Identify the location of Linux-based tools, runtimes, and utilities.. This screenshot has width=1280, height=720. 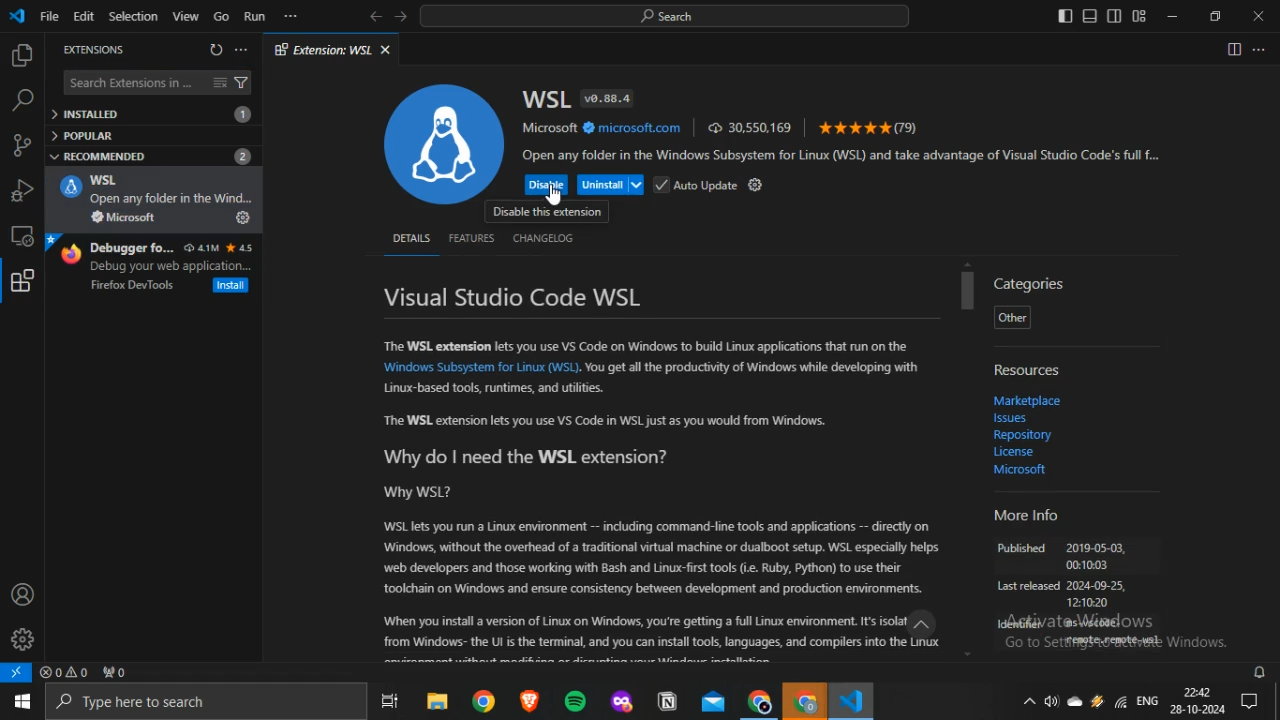
(494, 388).